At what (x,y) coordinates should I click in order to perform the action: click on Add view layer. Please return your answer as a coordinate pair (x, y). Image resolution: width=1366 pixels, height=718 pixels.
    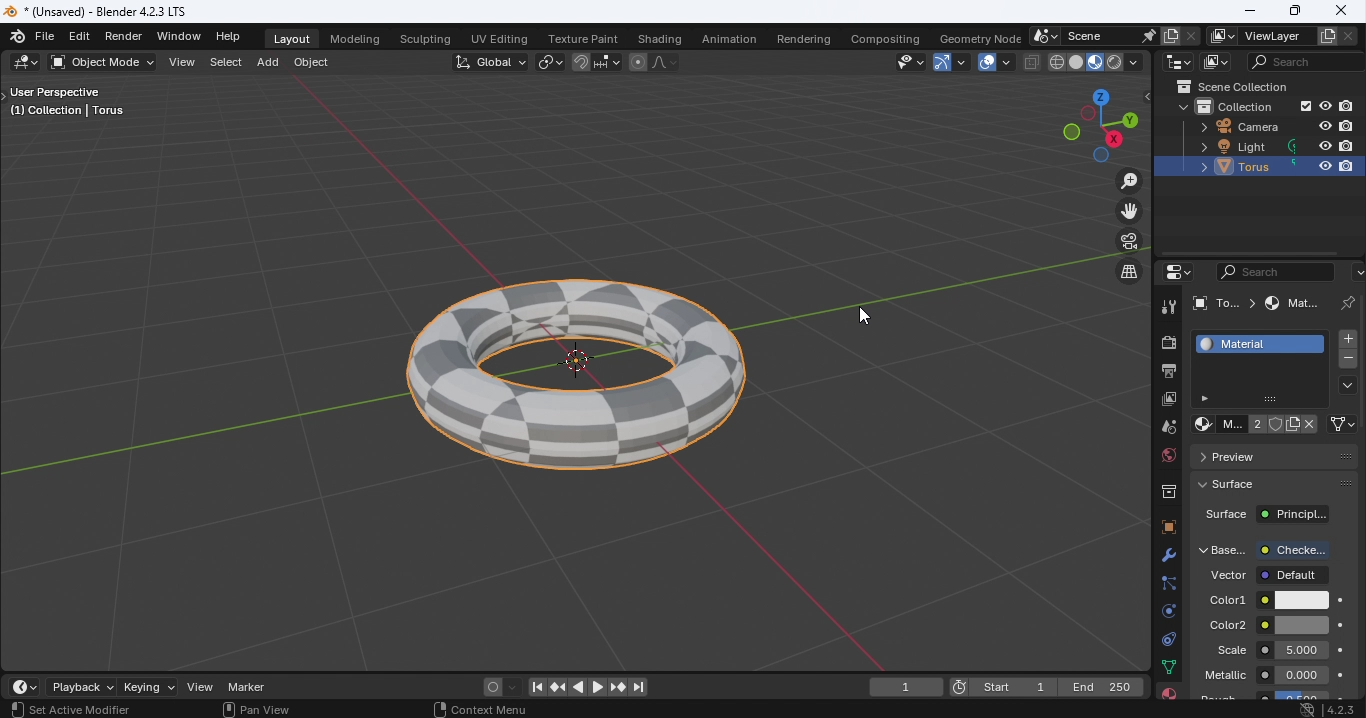
    Looking at the image, I should click on (1329, 35).